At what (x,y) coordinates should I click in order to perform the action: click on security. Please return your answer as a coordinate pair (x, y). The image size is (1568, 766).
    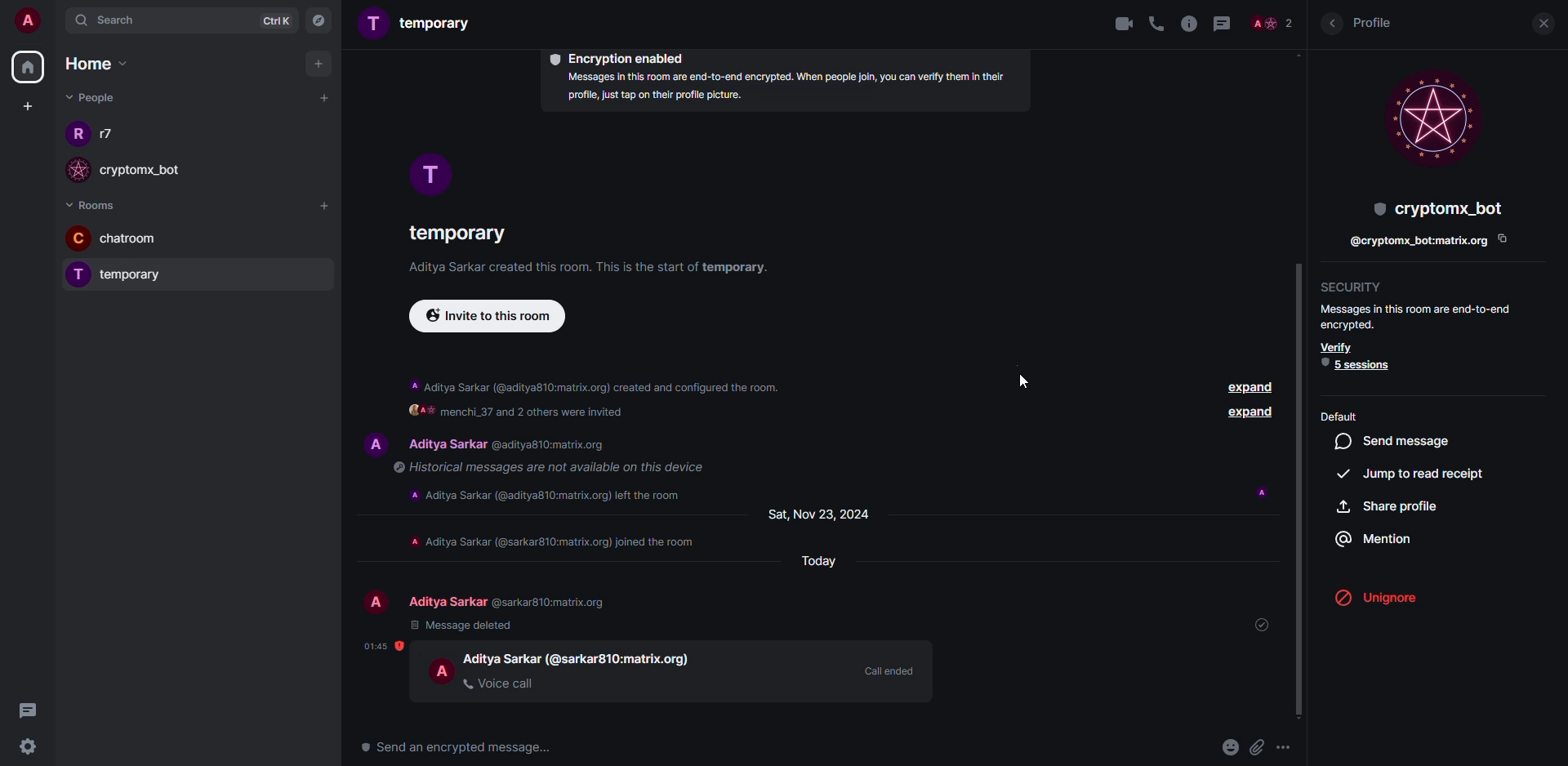
    Looking at the image, I should click on (1356, 287).